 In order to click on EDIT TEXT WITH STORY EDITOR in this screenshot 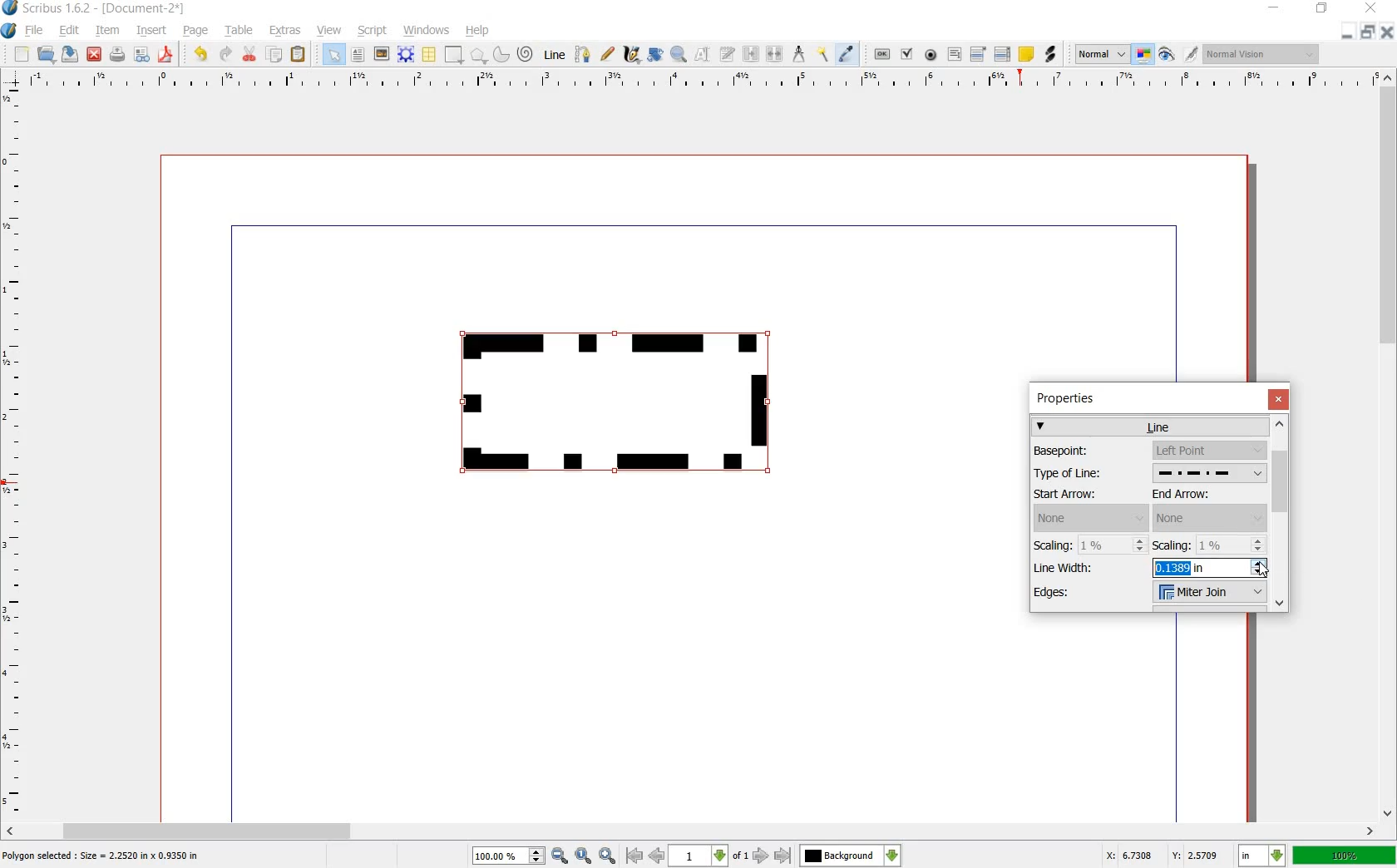, I will do `click(728, 55)`.